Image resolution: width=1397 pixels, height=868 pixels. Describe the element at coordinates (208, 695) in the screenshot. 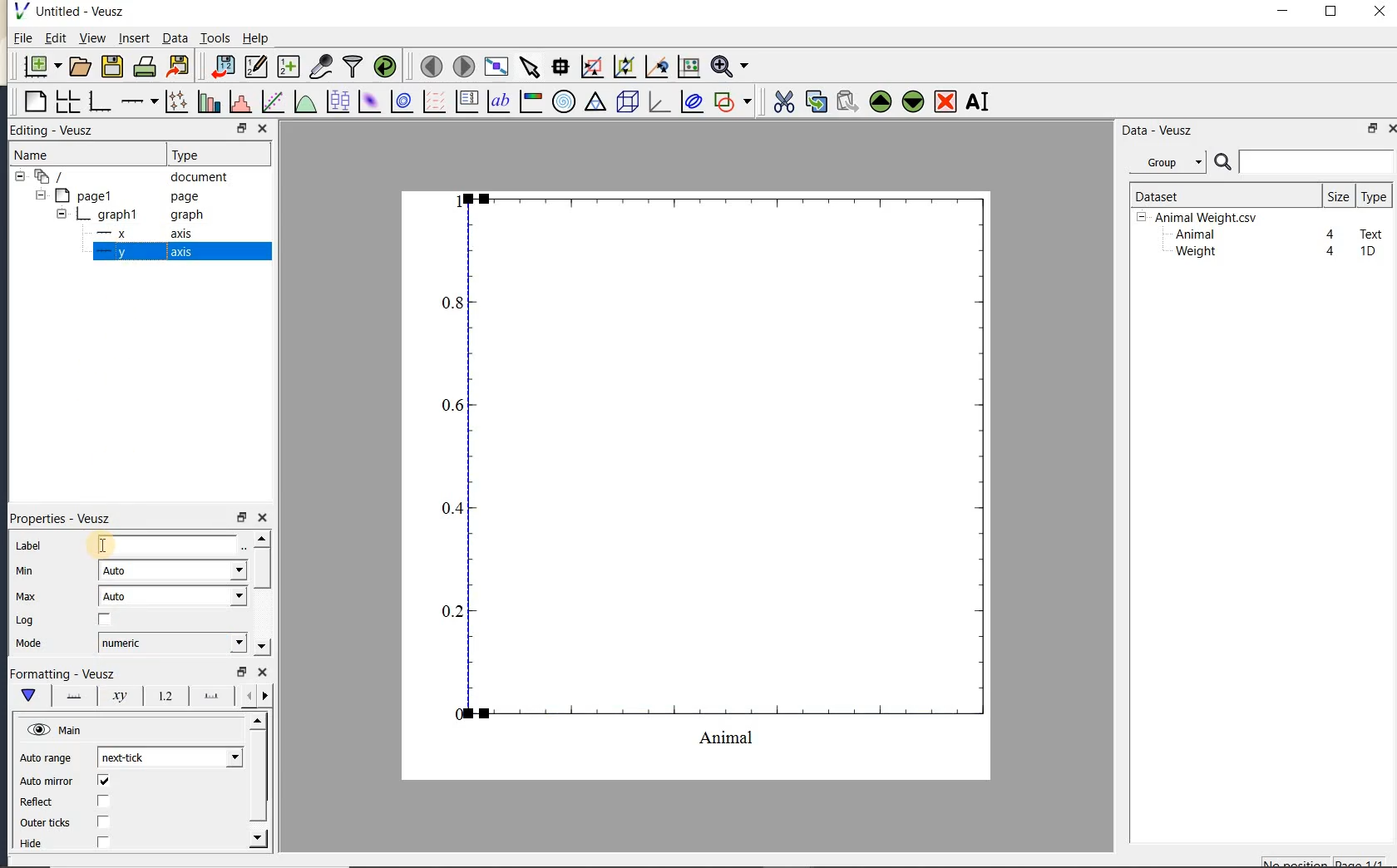

I see `major ticks` at that location.